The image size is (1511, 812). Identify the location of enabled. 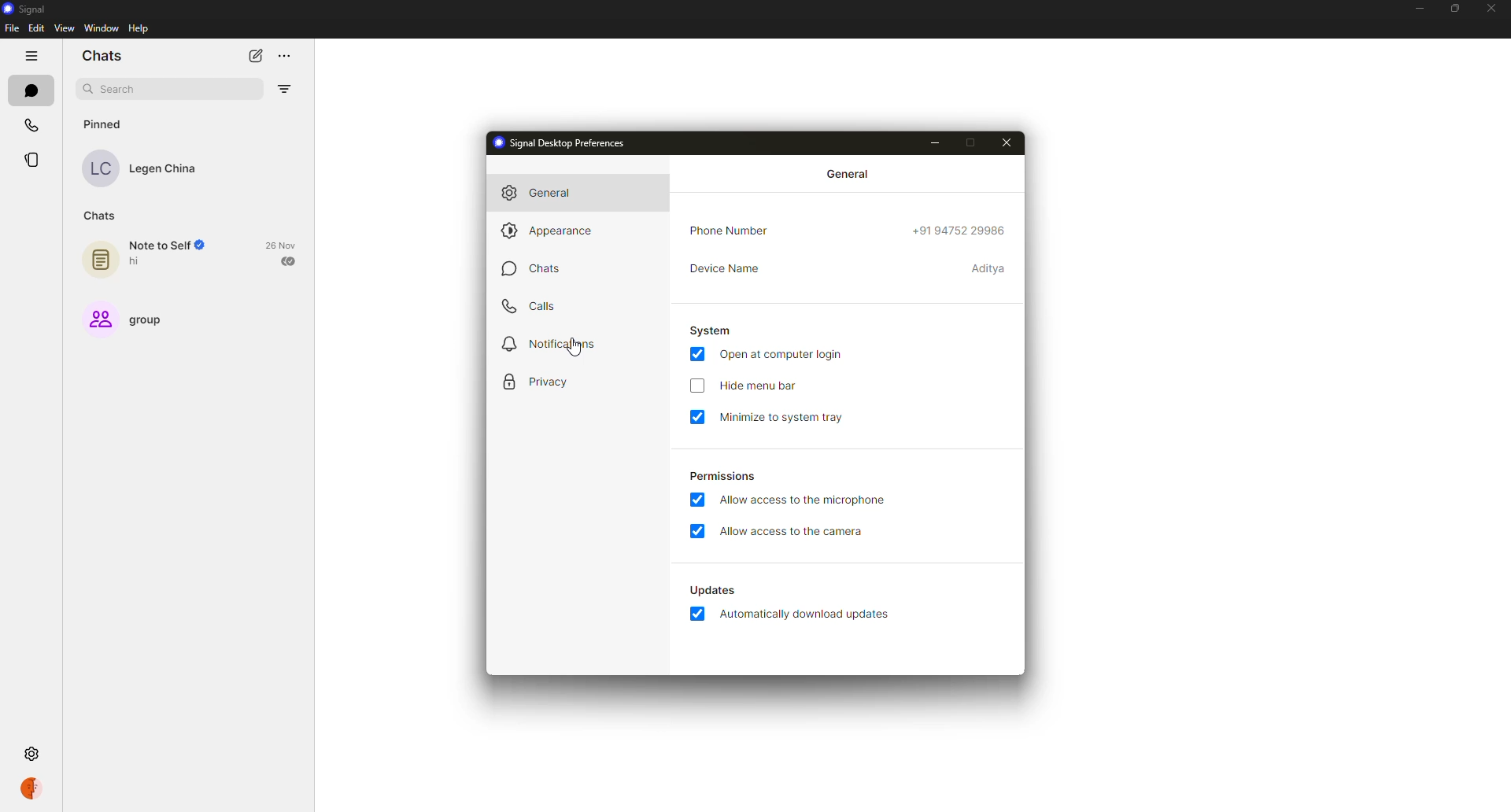
(694, 531).